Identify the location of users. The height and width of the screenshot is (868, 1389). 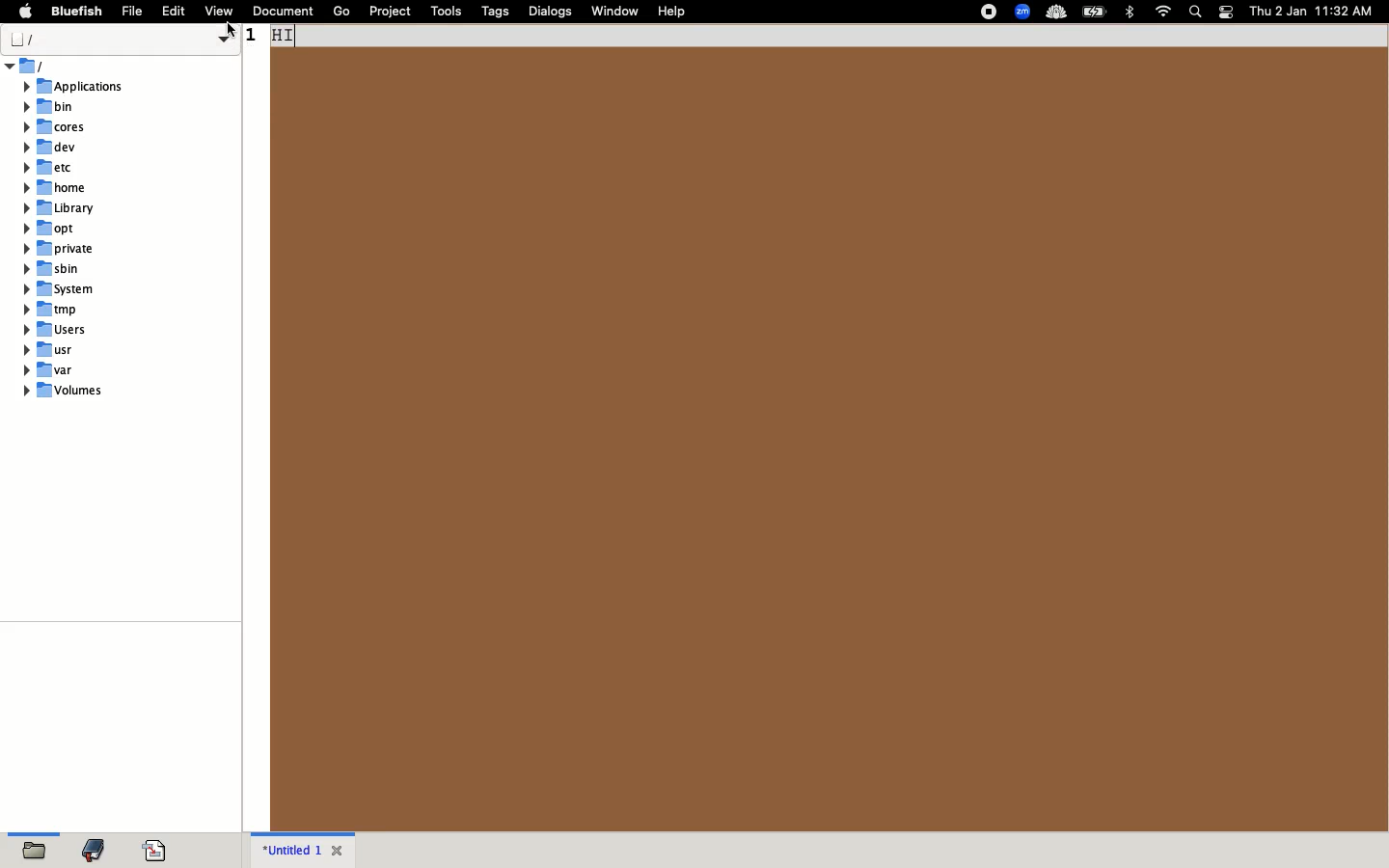
(54, 330).